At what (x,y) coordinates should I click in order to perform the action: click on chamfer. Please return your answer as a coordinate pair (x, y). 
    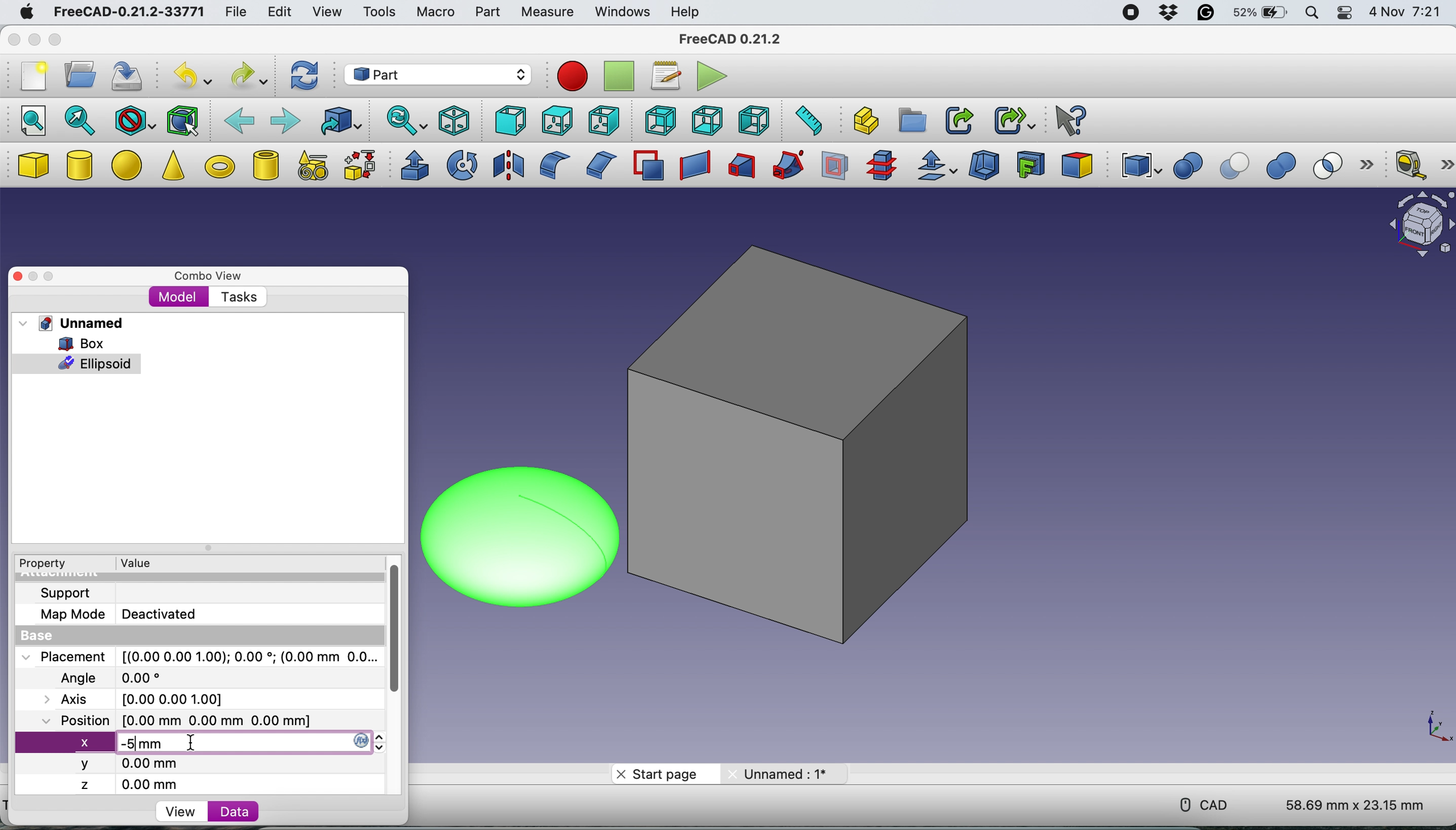
    Looking at the image, I should click on (599, 164).